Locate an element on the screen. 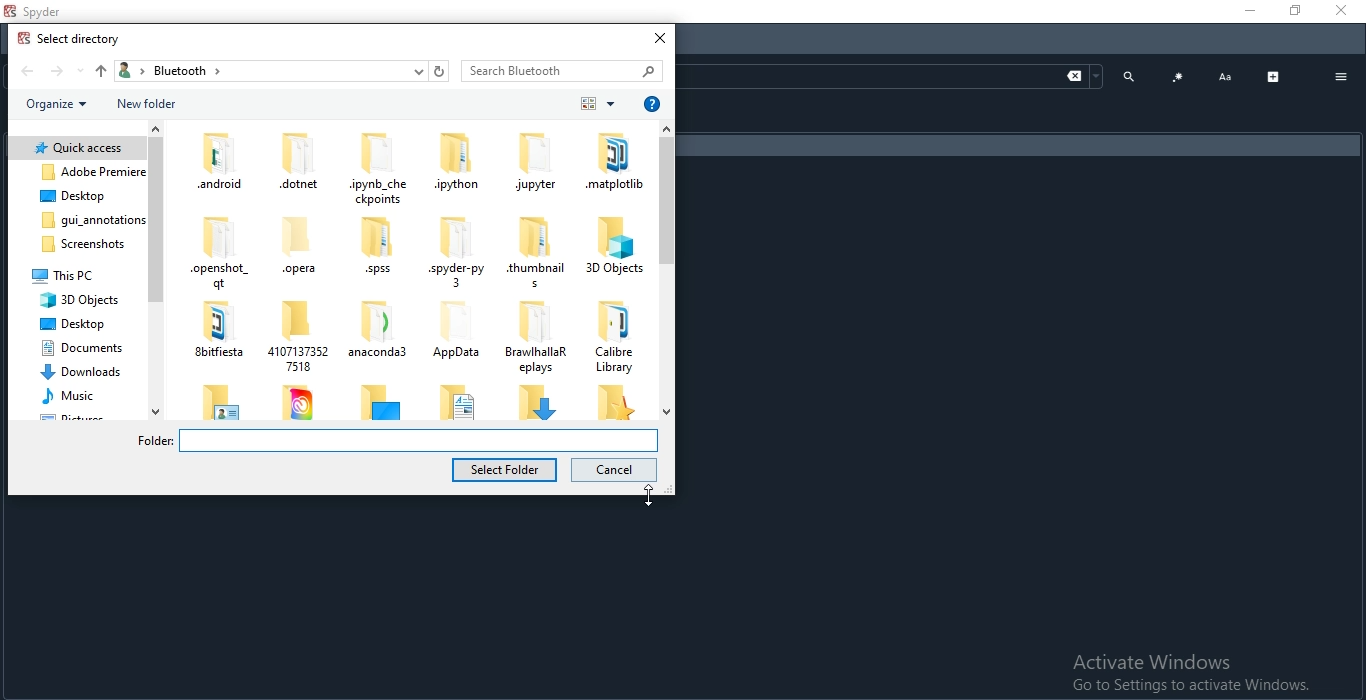 Image resolution: width=1366 pixels, height=700 pixels. matplotlib is located at coordinates (609, 160).